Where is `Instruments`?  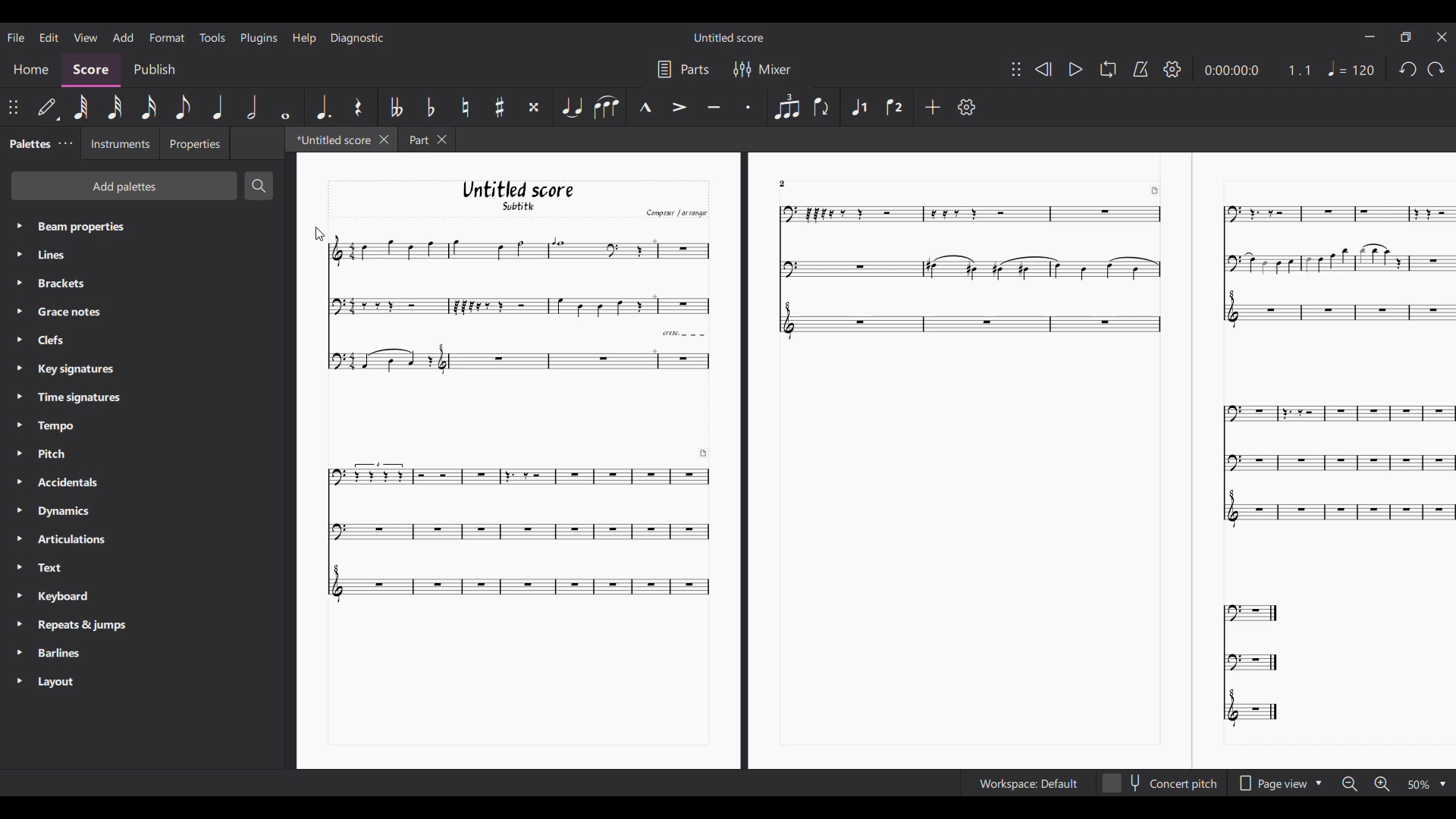
Instruments is located at coordinates (119, 144).